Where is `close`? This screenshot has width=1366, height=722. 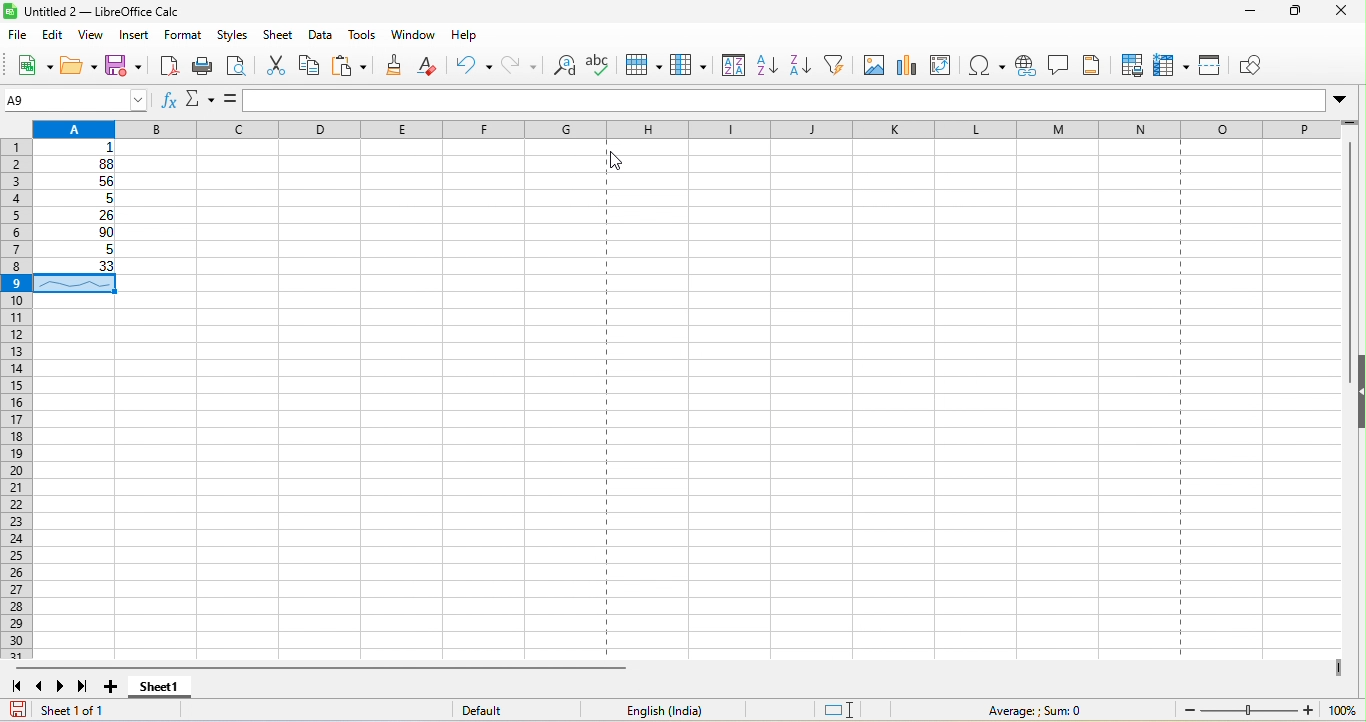 close is located at coordinates (1342, 13).